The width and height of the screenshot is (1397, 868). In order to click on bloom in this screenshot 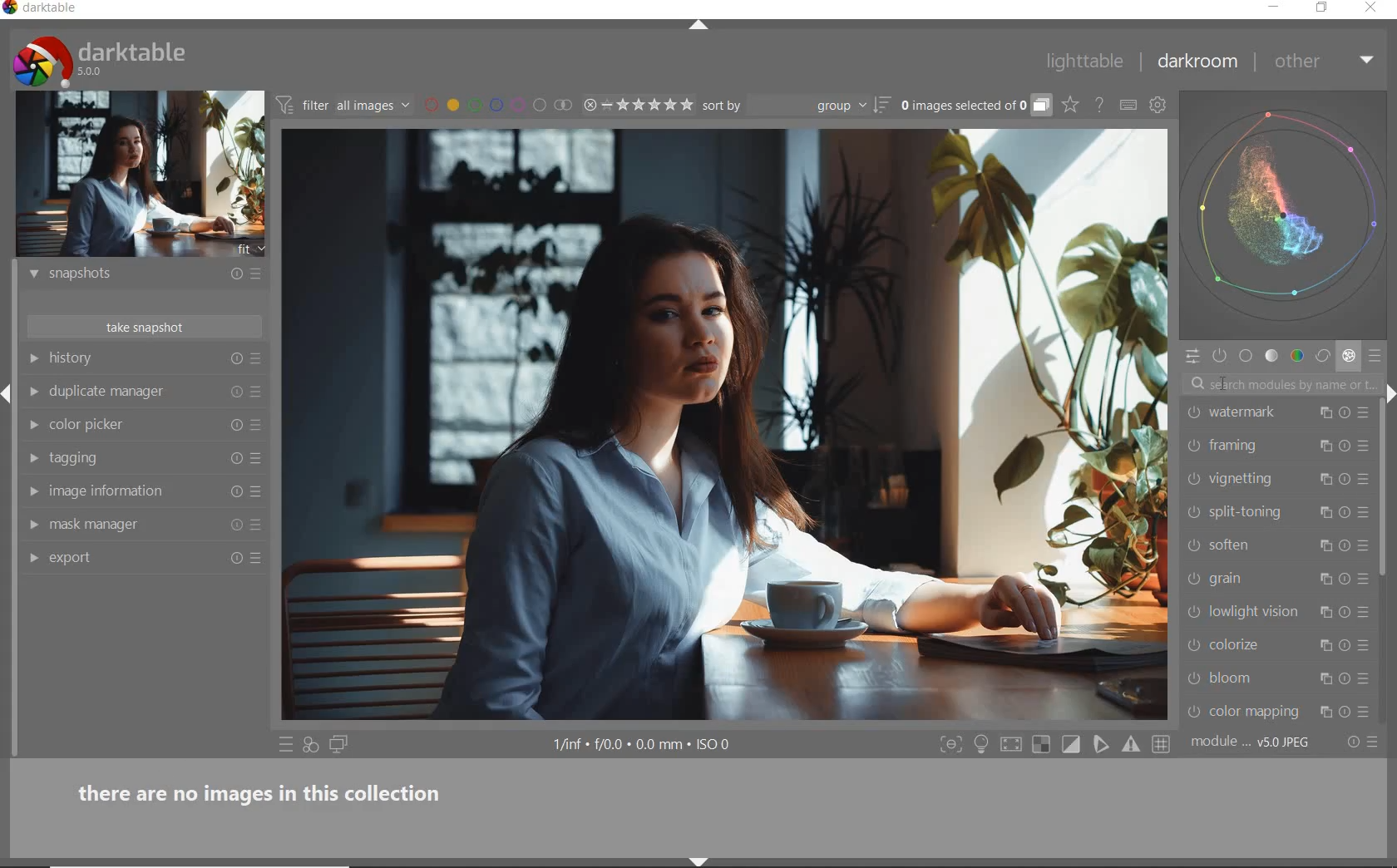, I will do `click(1253, 678)`.